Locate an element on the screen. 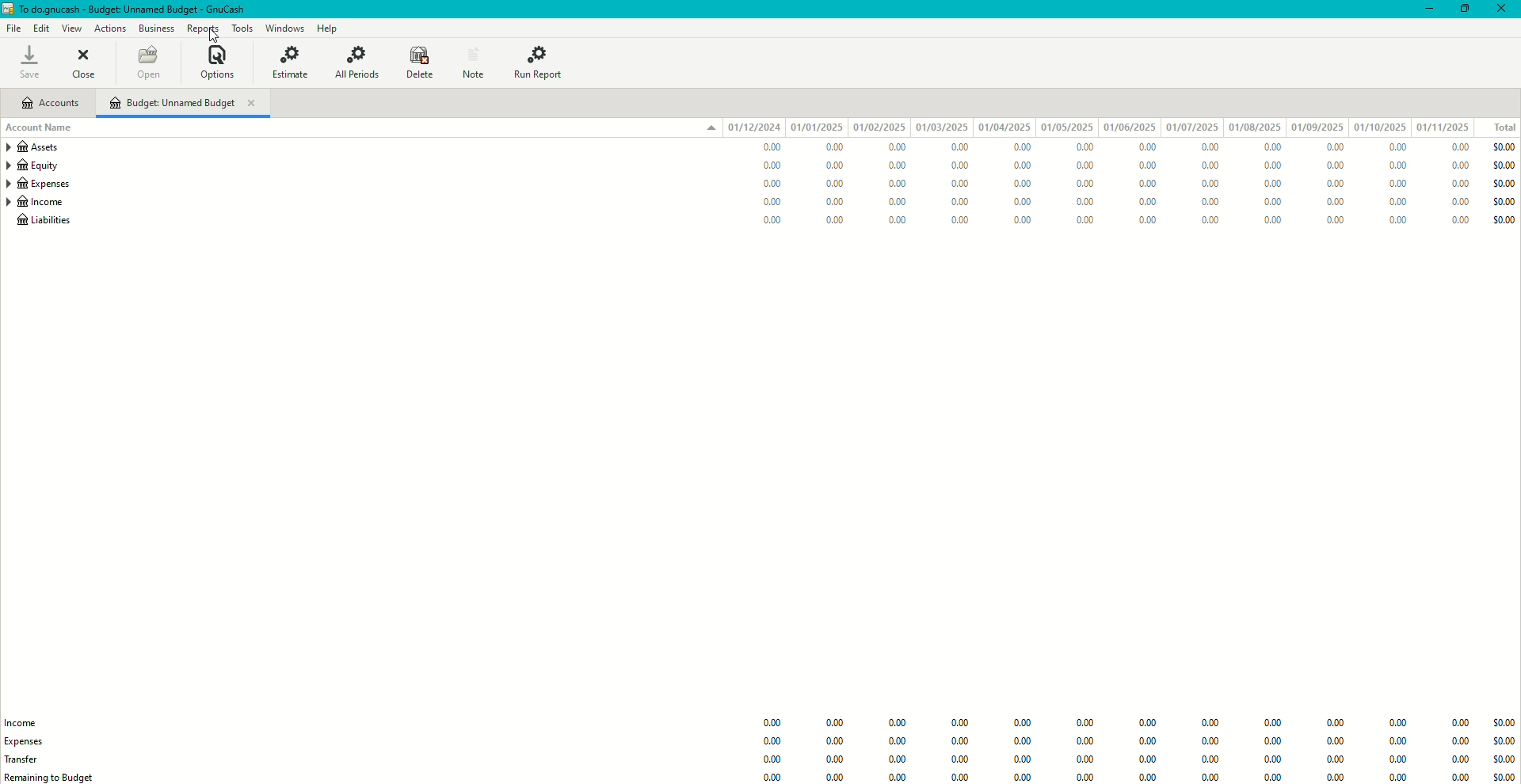 The image size is (1521, 784). 0.00 is located at coordinates (774, 741).